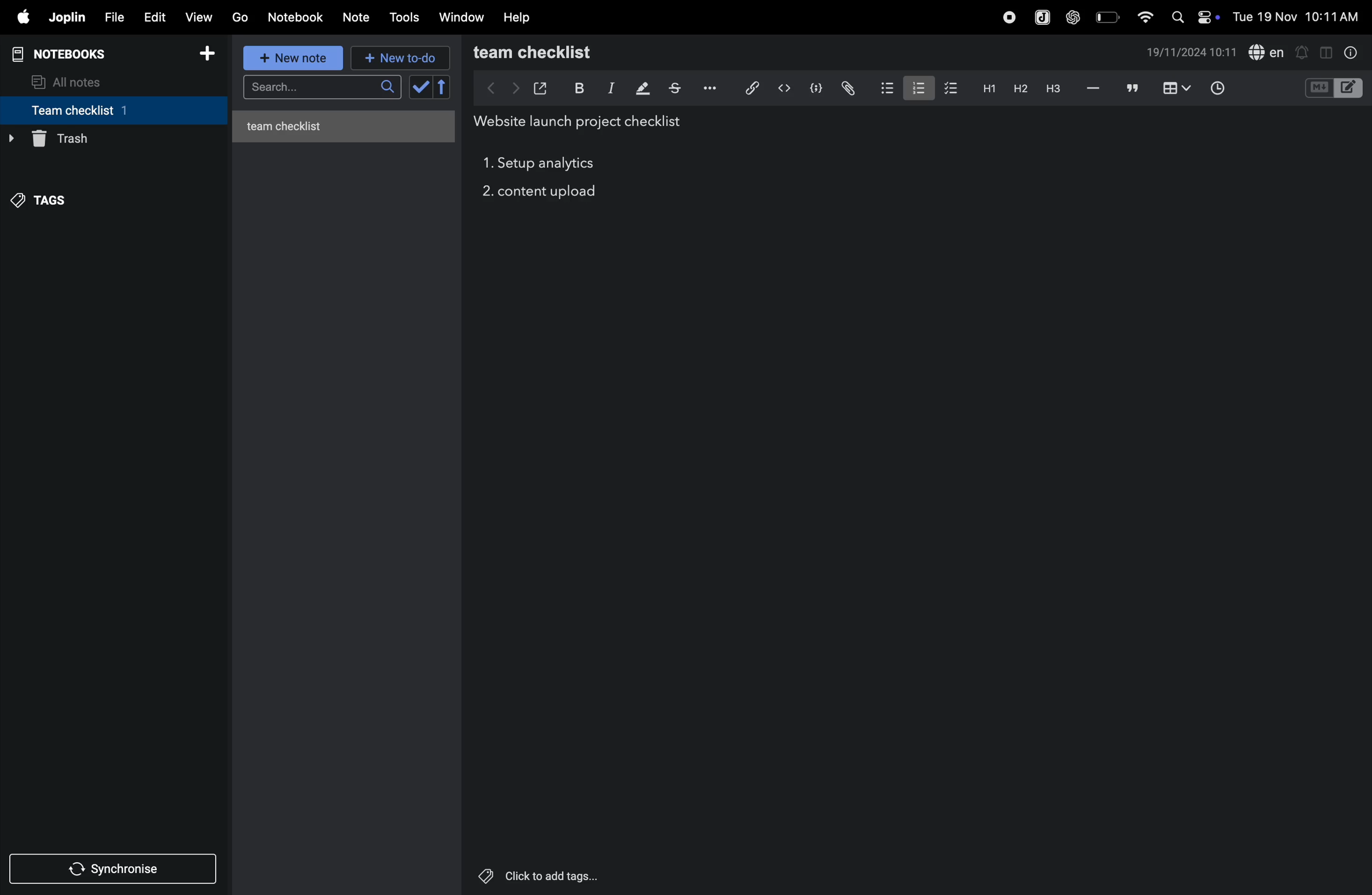  I want to click on highlight, so click(641, 89).